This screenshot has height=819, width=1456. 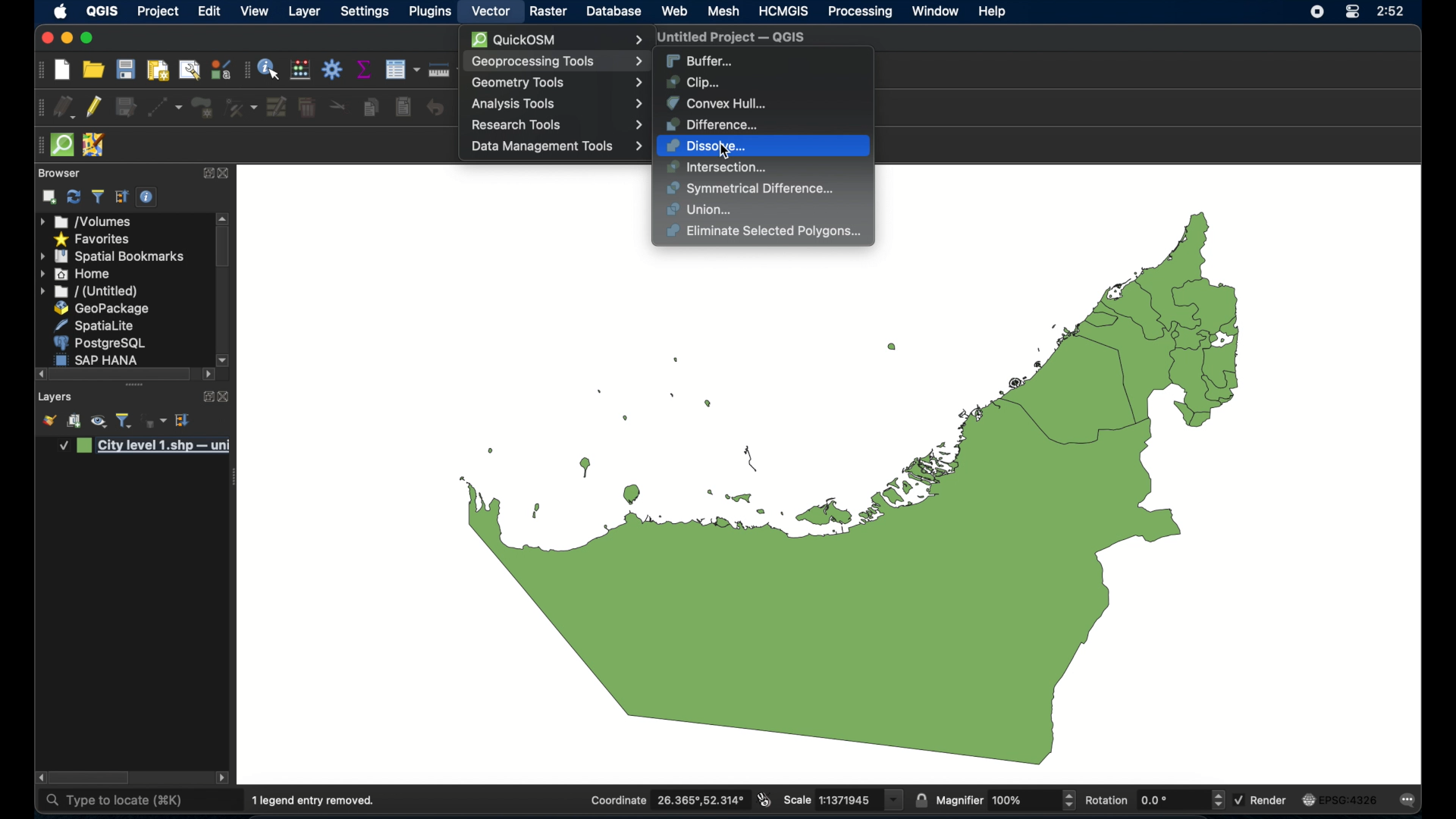 I want to click on scroll box, so click(x=92, y=778).